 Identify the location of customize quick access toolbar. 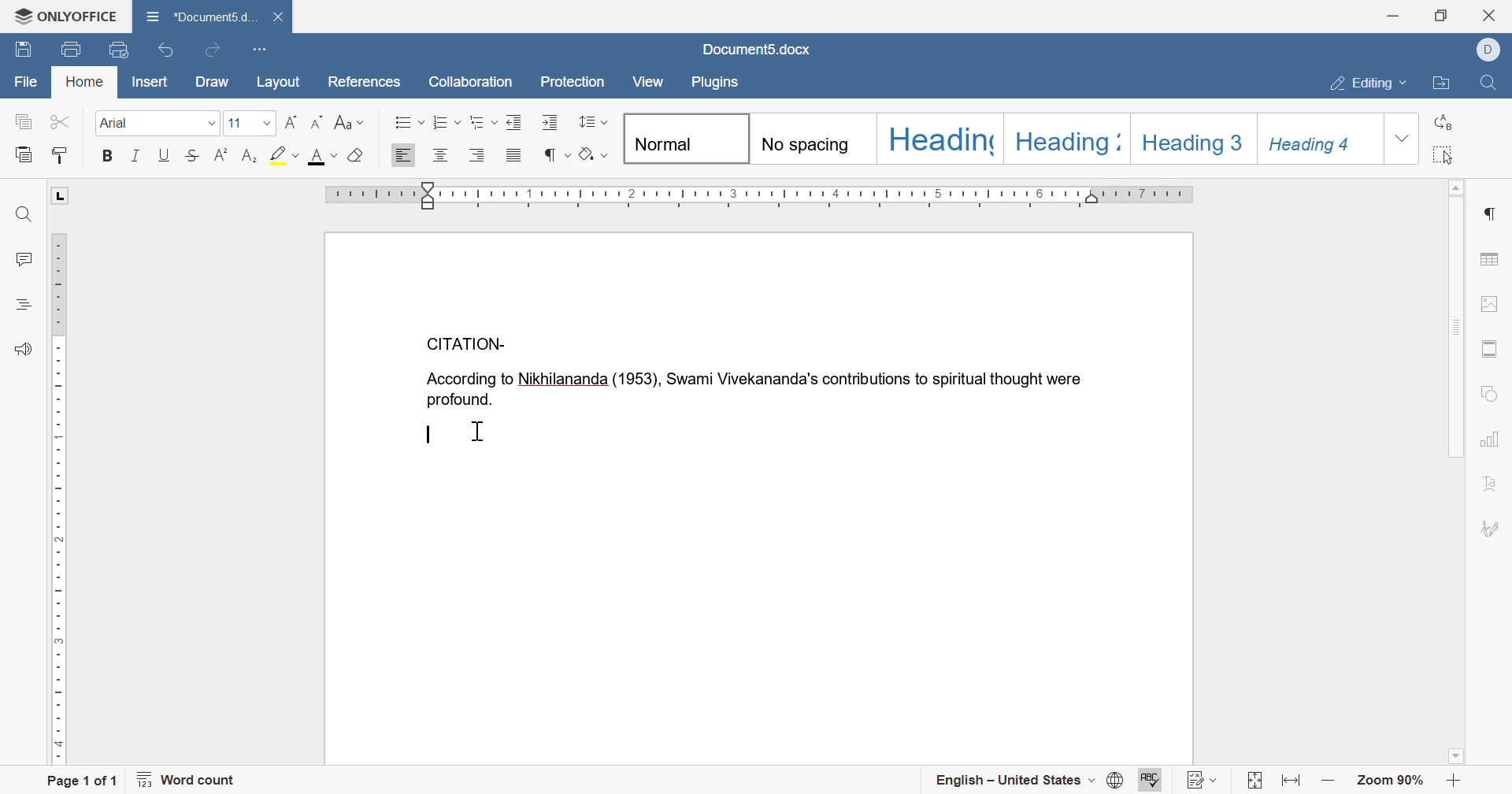
(259, 49).